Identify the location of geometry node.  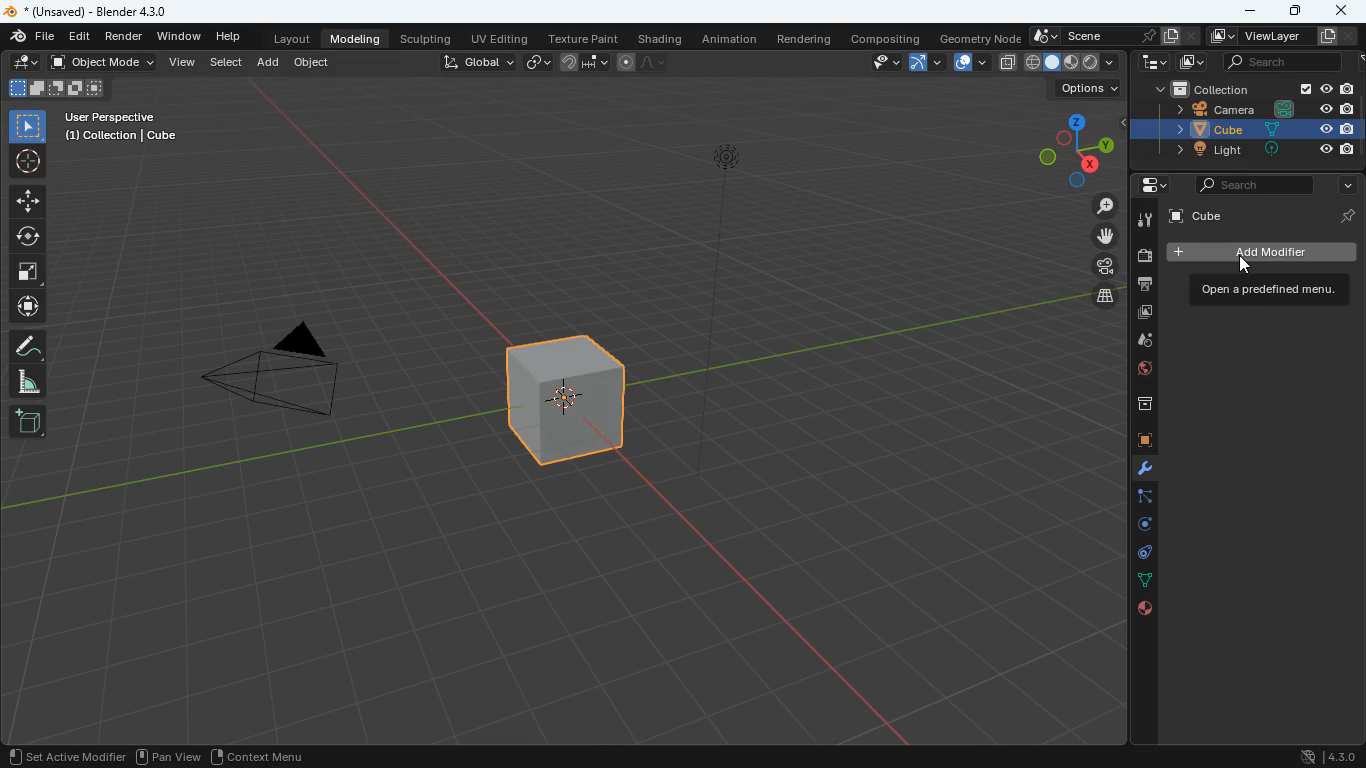
(982, 38).